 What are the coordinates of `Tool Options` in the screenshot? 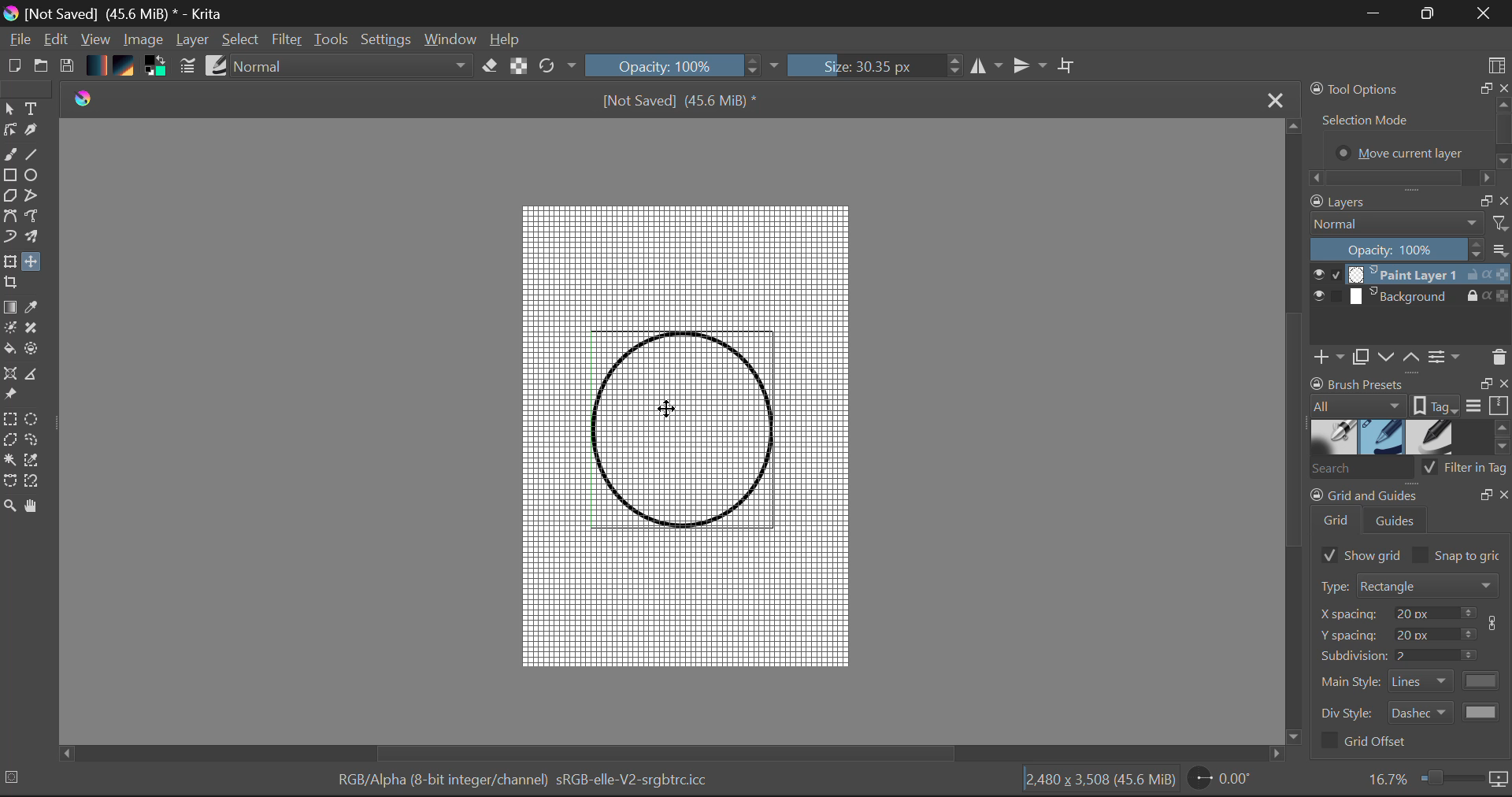 It's located at (1408, 132).